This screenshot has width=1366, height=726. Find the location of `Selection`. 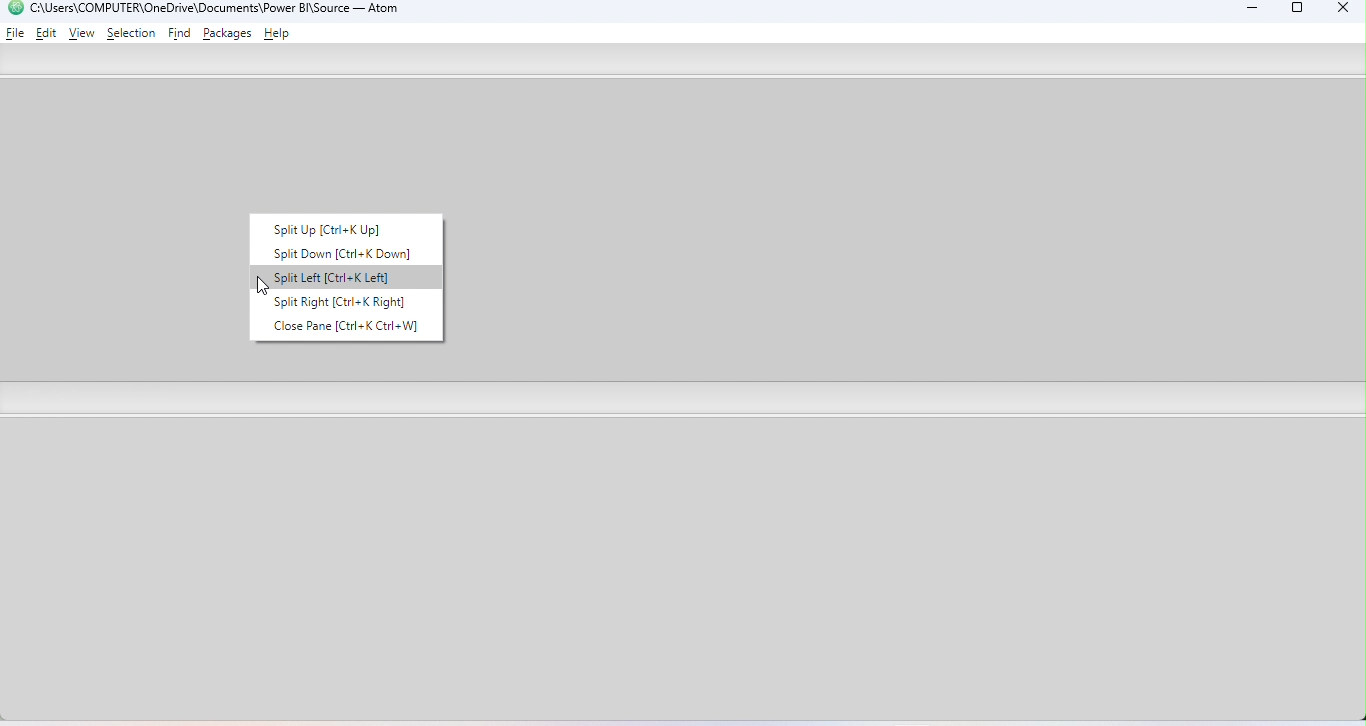

Selection is located at coordinates (131, 33).